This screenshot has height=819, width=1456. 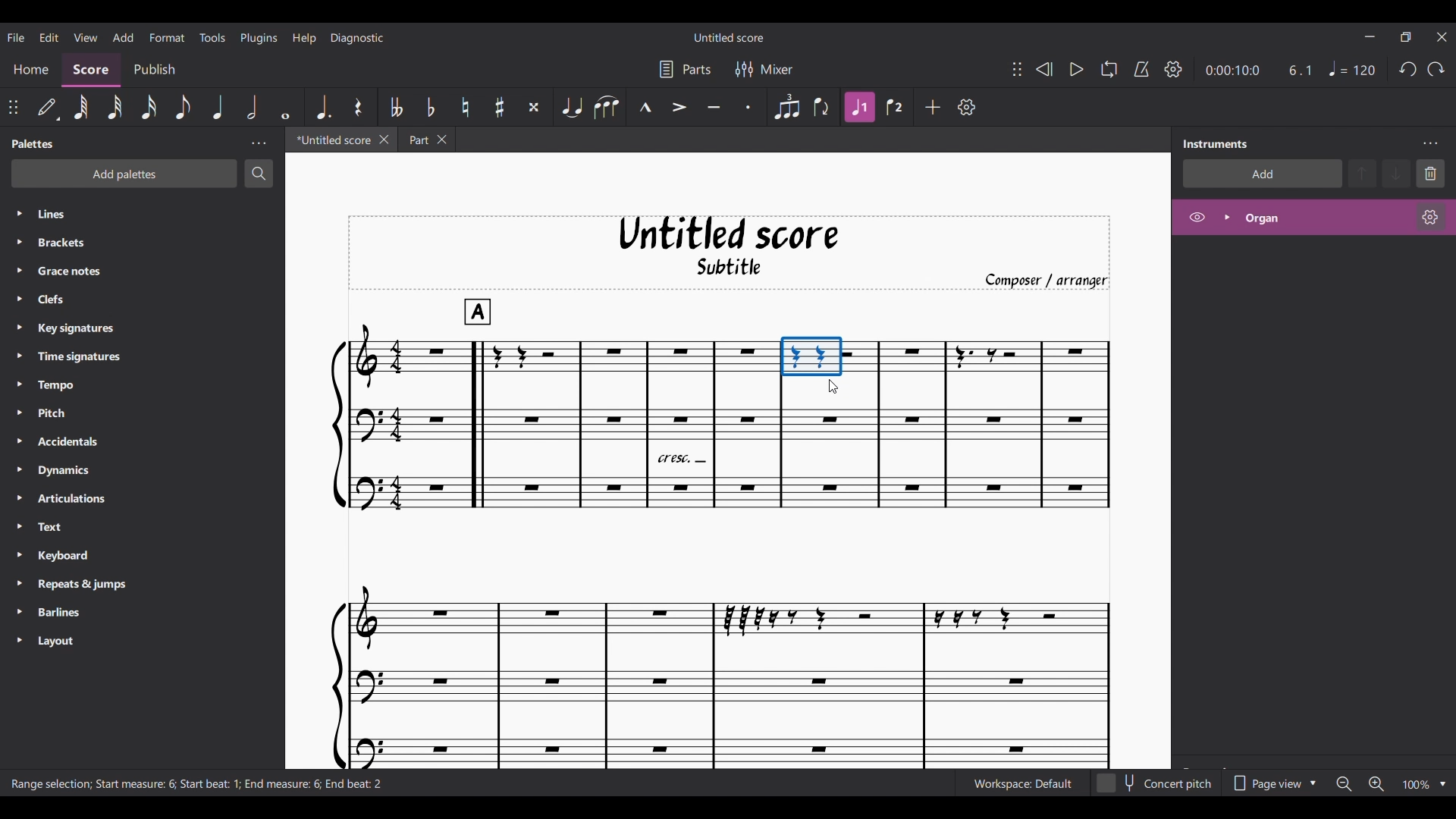 I want to click on Redo, so click(x=1436, y=69).